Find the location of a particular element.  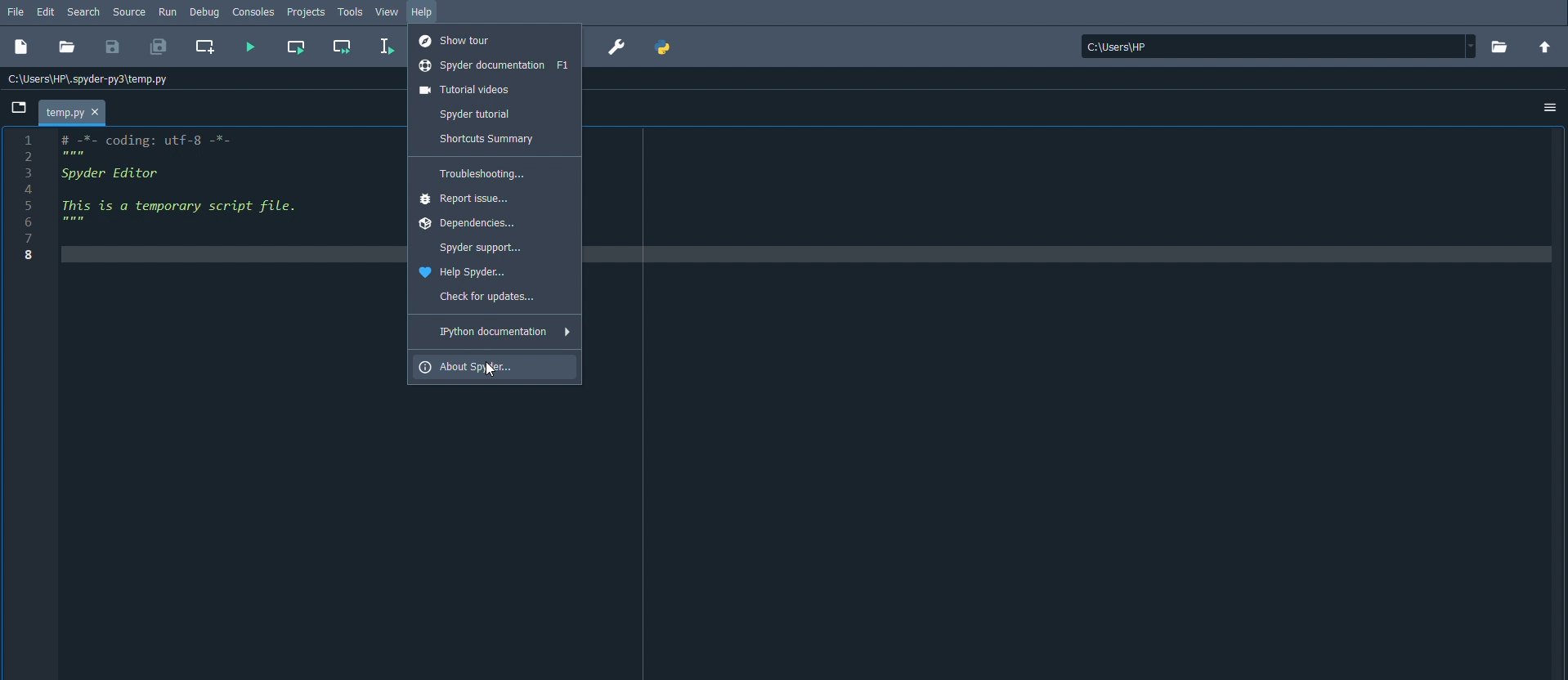

C:\Users\HP\.spyder-py3\temp.py is located at coordinates (94, 78).